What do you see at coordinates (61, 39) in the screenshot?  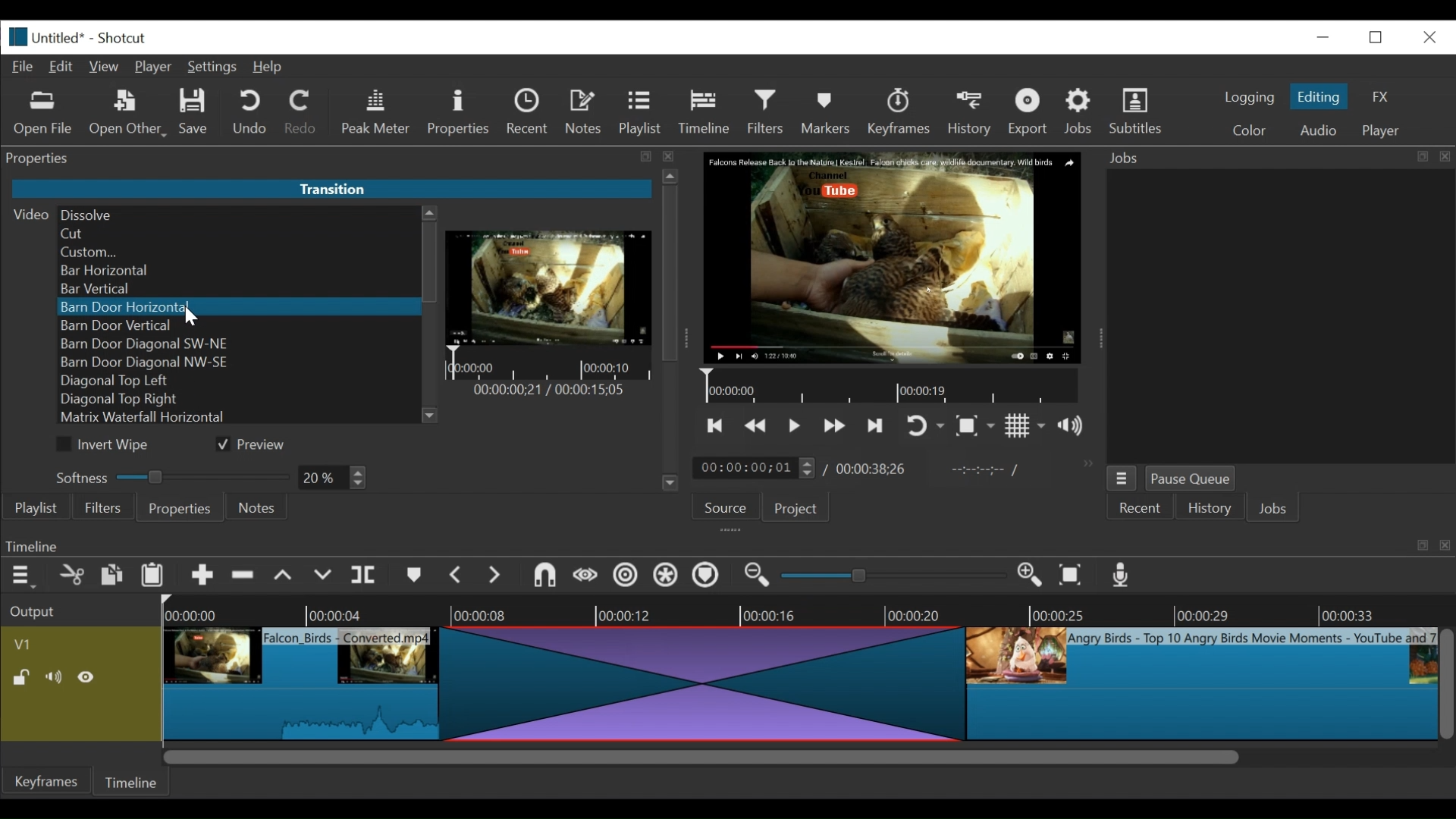 I see `File name` at bounding box center [61, 39].